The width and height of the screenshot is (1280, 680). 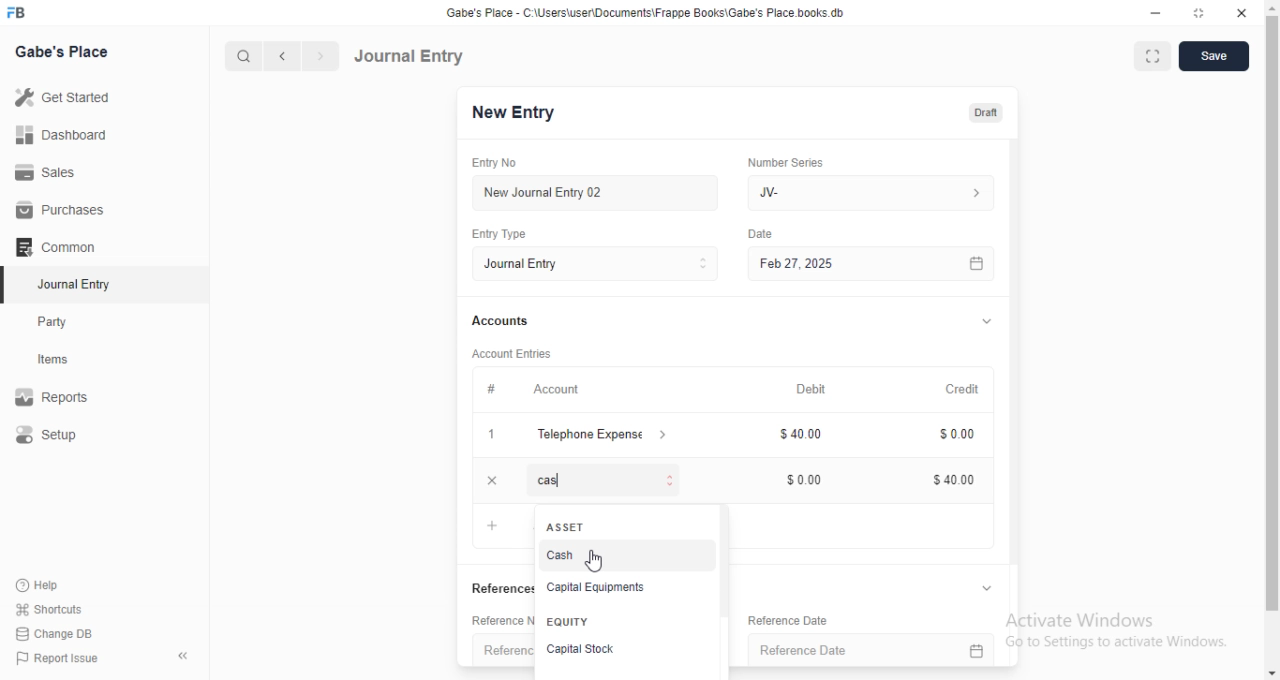 I want to click on Setup, so click(x=49, y=434).